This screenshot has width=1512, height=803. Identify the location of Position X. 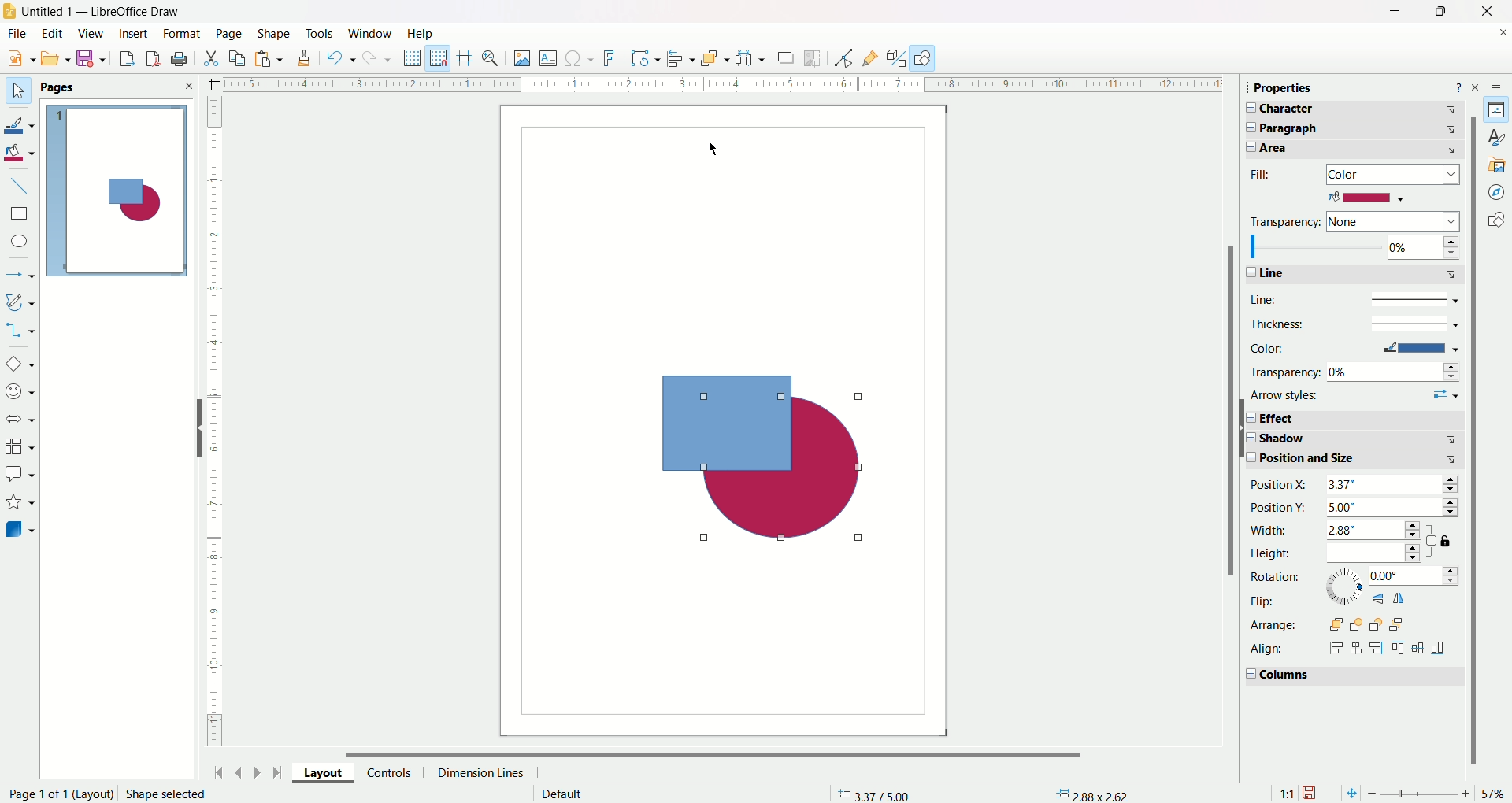
(1354, 486).